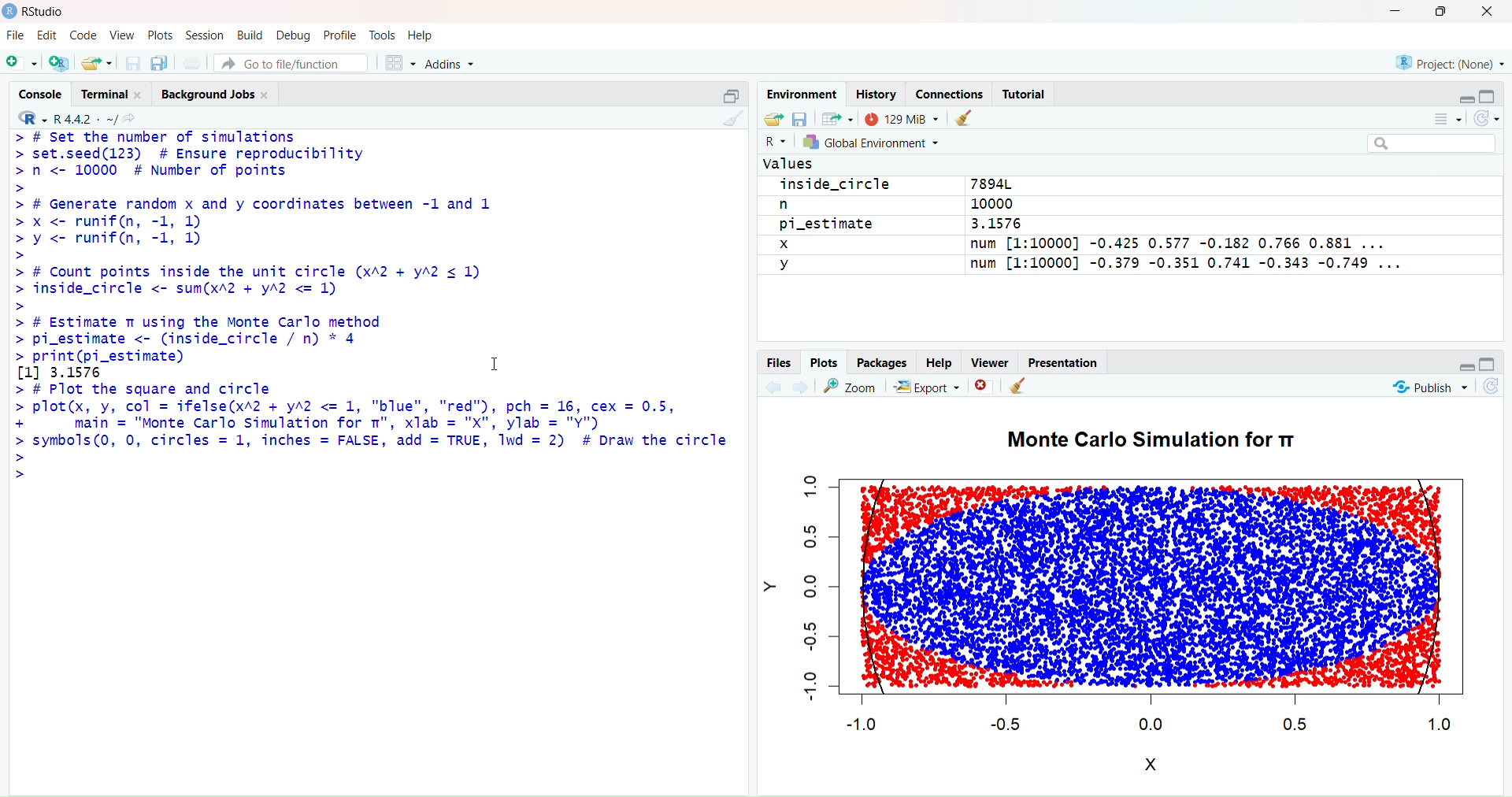 The image size is (1512, 797). I want to click on Debug, so click(296, 34).